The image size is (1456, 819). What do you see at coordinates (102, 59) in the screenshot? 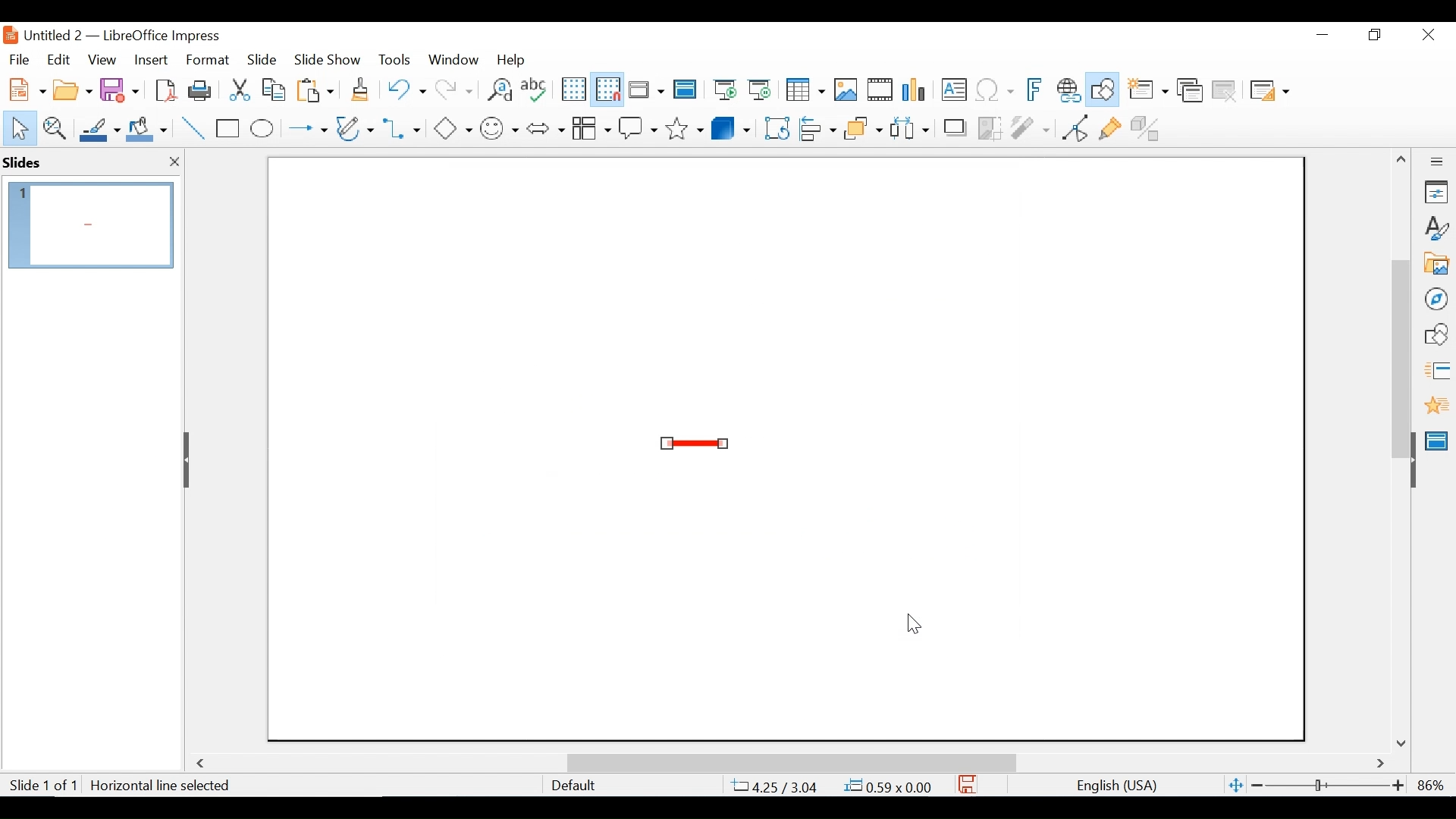
I see `View` at bounding box center [102, 59].